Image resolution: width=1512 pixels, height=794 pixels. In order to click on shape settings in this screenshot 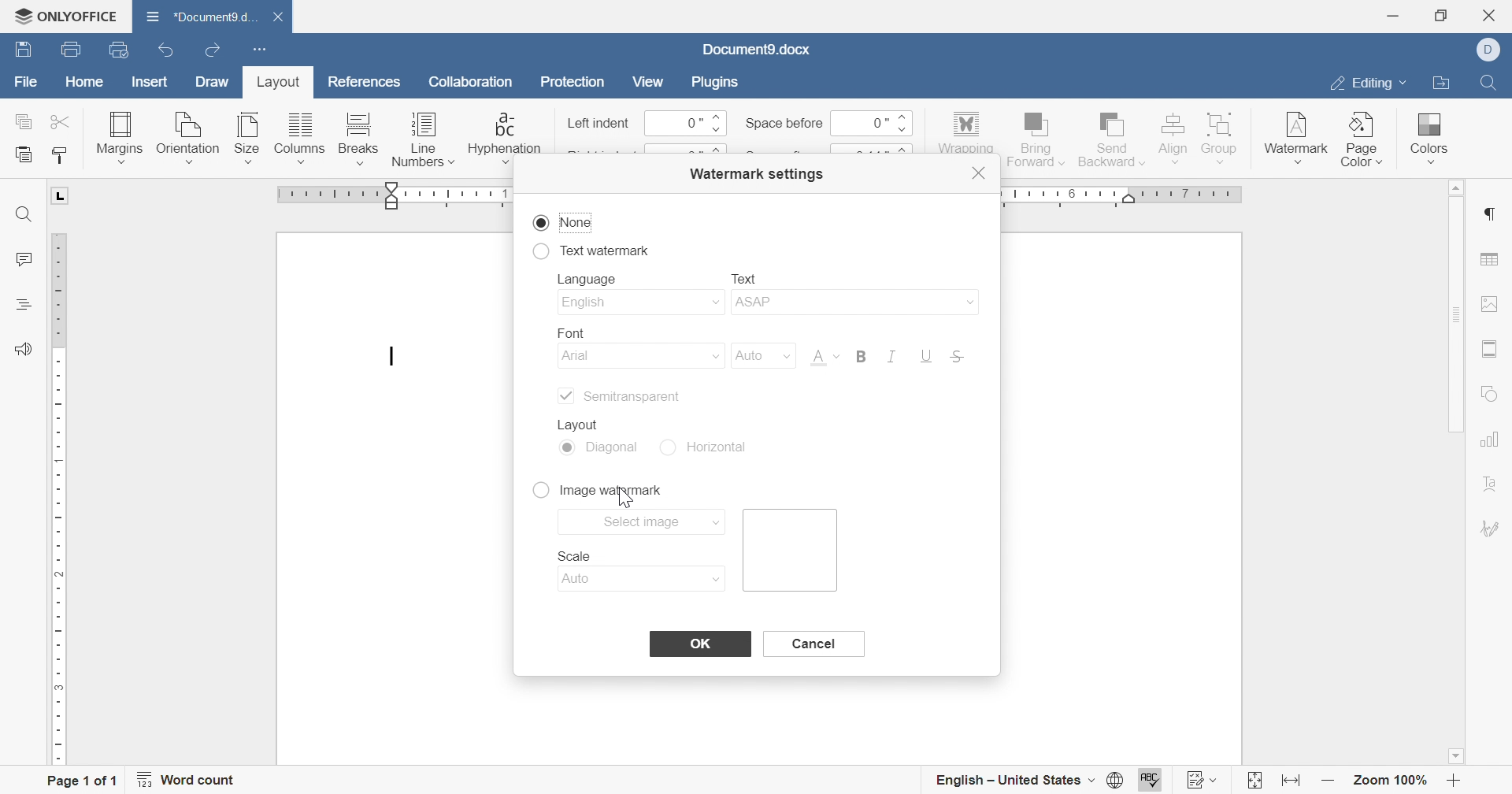, I will do `click(1491, 395)`.